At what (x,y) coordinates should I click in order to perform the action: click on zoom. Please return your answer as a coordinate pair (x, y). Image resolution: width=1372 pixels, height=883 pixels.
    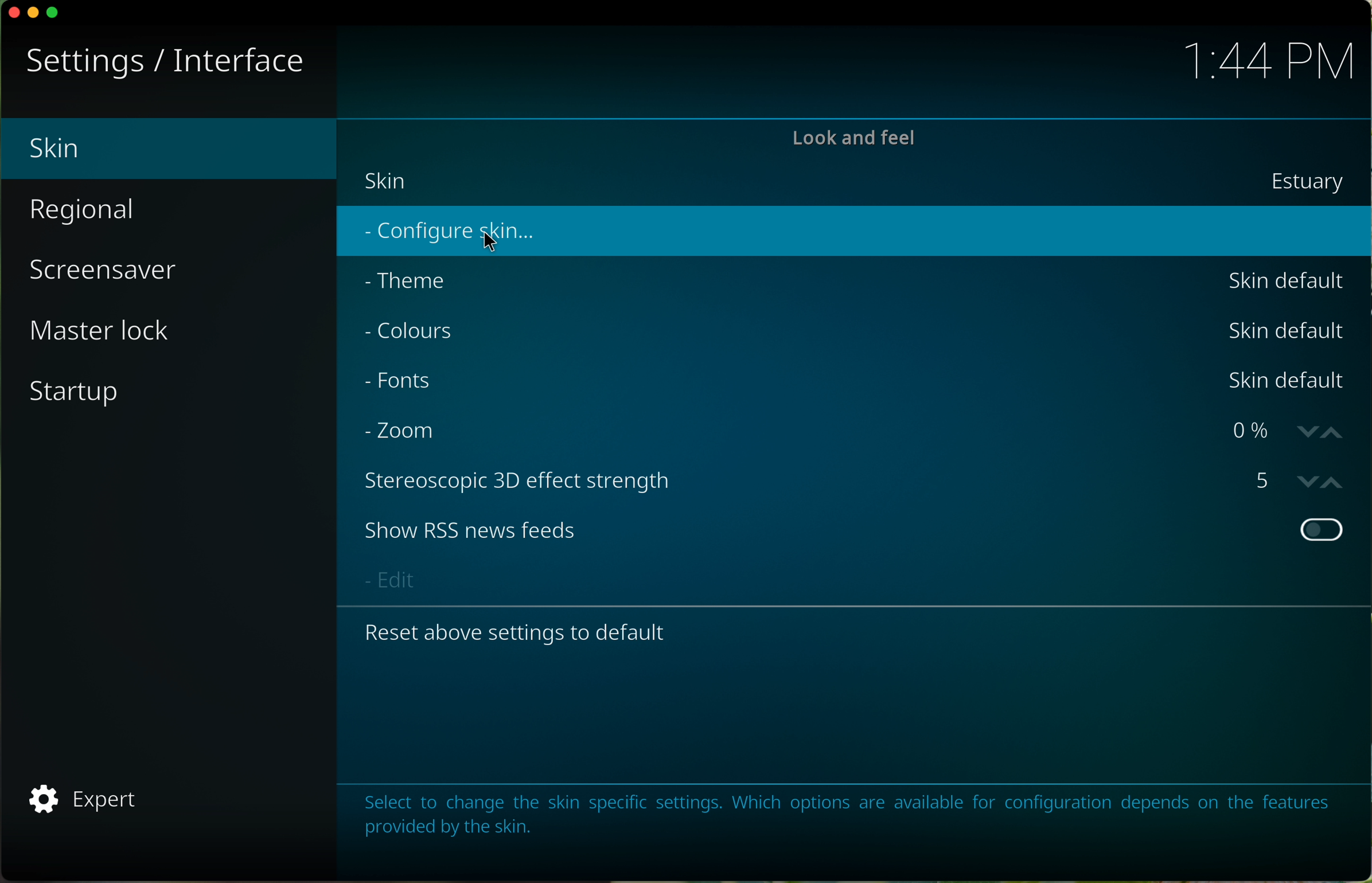
    Looking at the image, I should click on (402, 431).